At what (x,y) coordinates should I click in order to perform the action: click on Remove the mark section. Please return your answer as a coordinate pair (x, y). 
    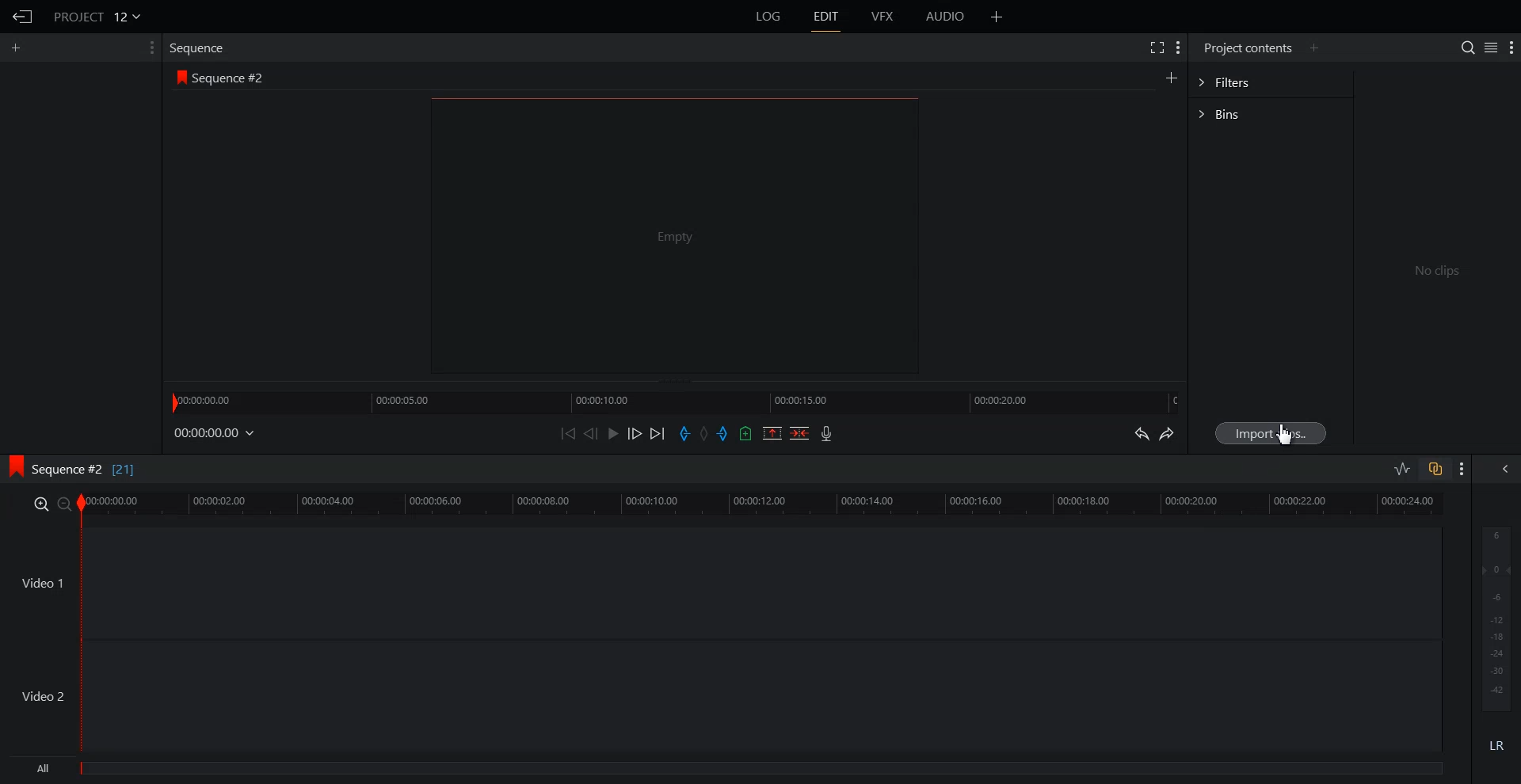
    Looking at the image, I should click on (772, 432).